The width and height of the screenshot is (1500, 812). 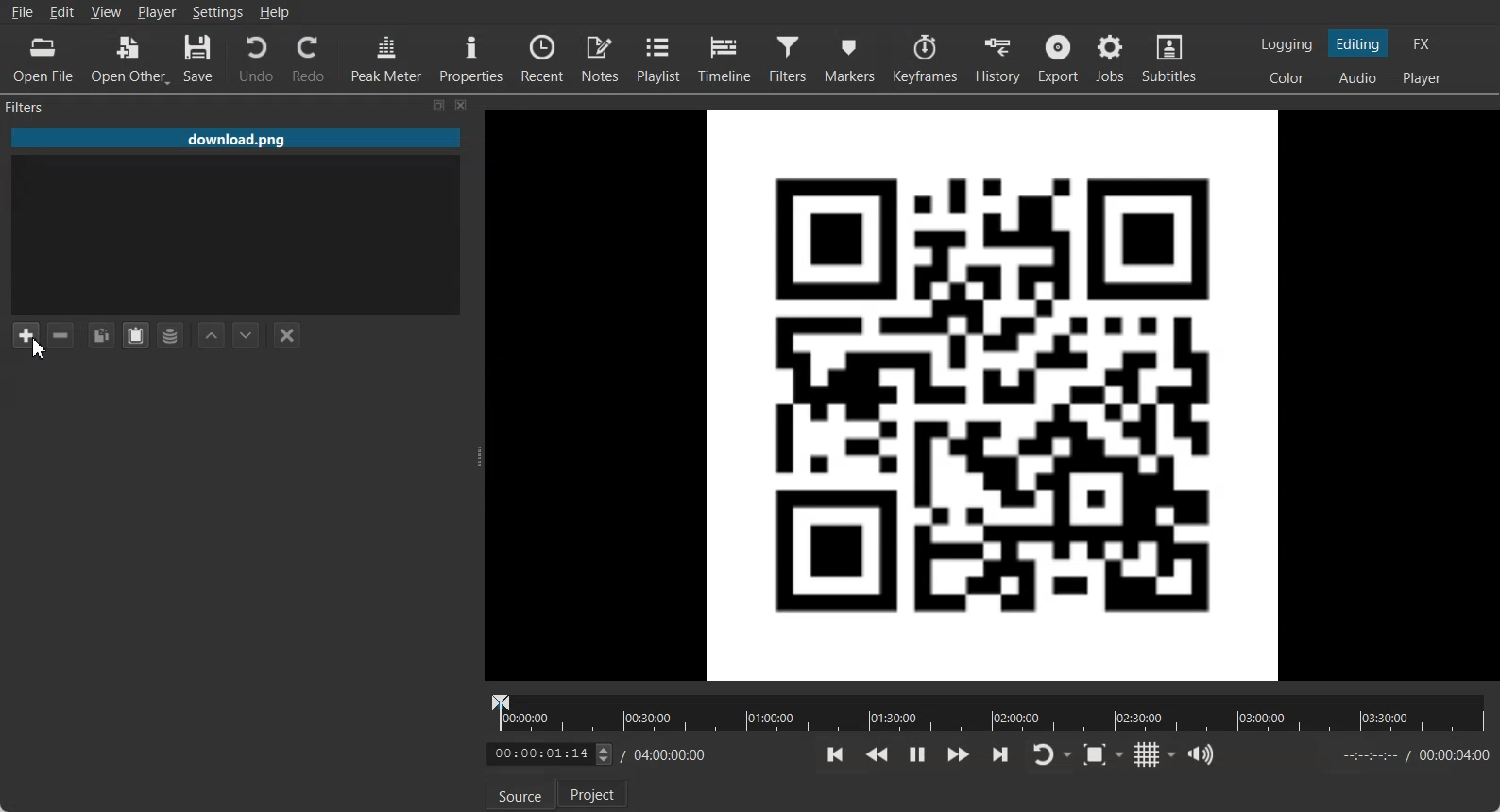 I want to click on Subtitles, so click(x=1170, y=59).